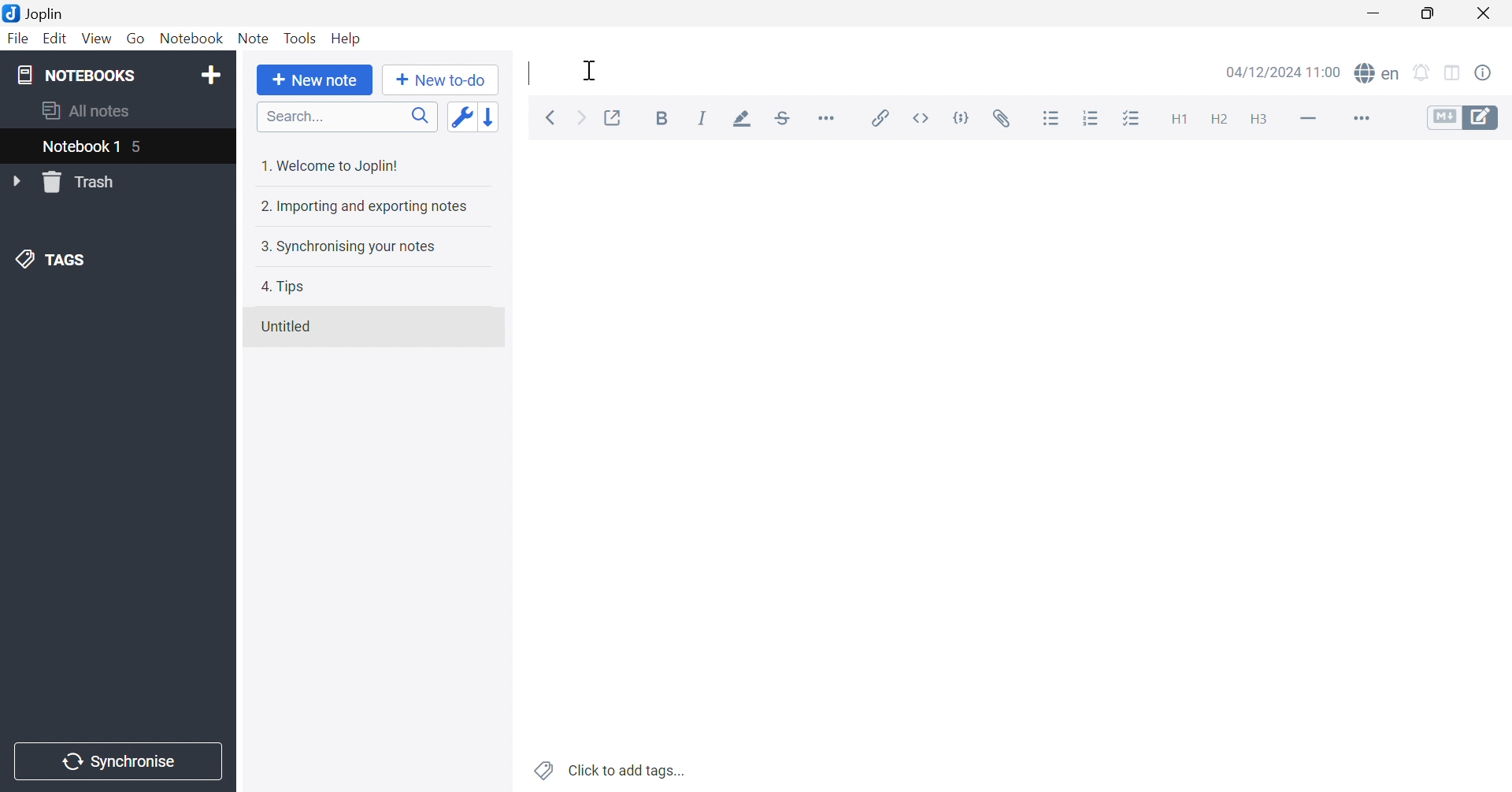  What do you see at coordinates (51, 261) in the screenshot?
I see `TAGS` at bounding box center [51, 261].